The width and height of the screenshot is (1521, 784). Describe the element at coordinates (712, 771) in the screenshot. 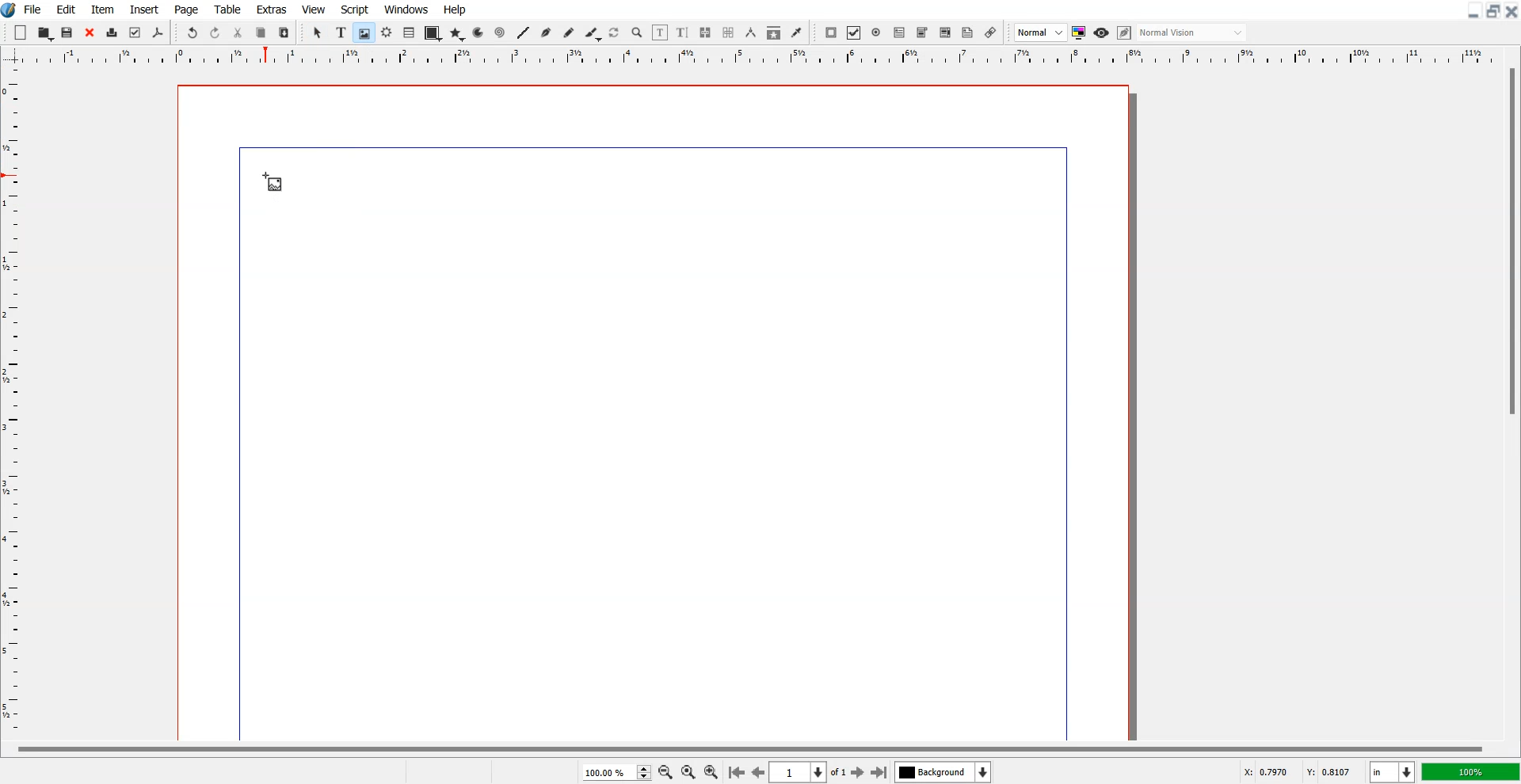

I see `Zoom In` at that location.